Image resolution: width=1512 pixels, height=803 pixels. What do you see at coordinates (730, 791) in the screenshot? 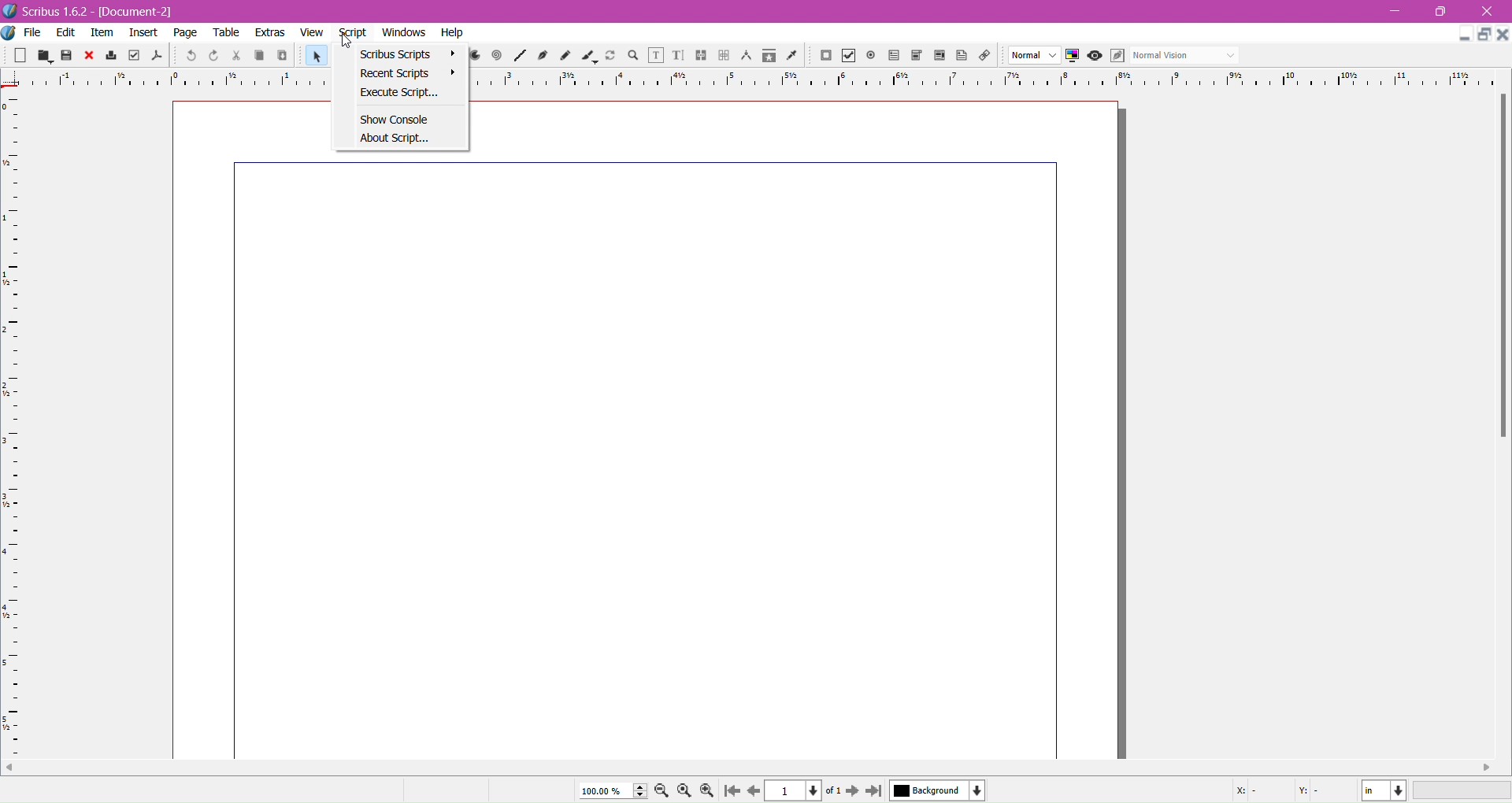
I see `Go to the first page` at bounding box center [730, 791].